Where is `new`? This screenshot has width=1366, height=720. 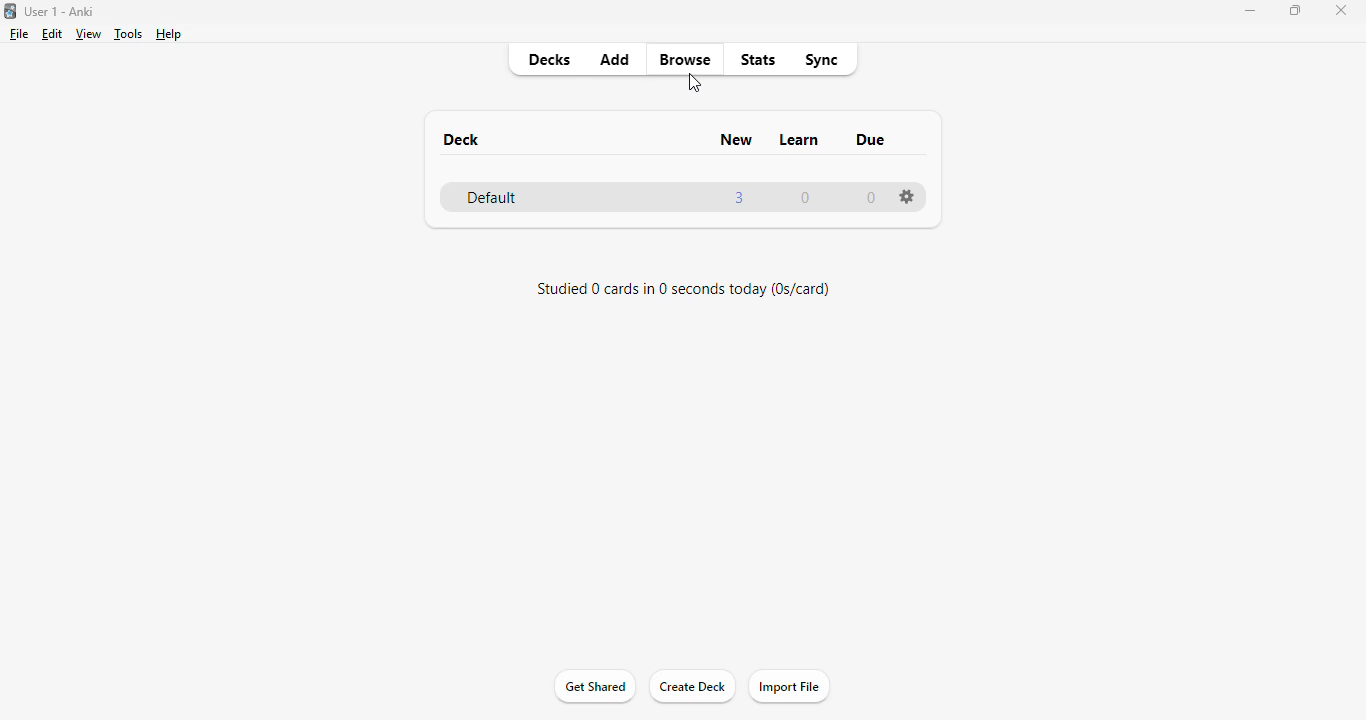
new is located at coordinates (737, 140).